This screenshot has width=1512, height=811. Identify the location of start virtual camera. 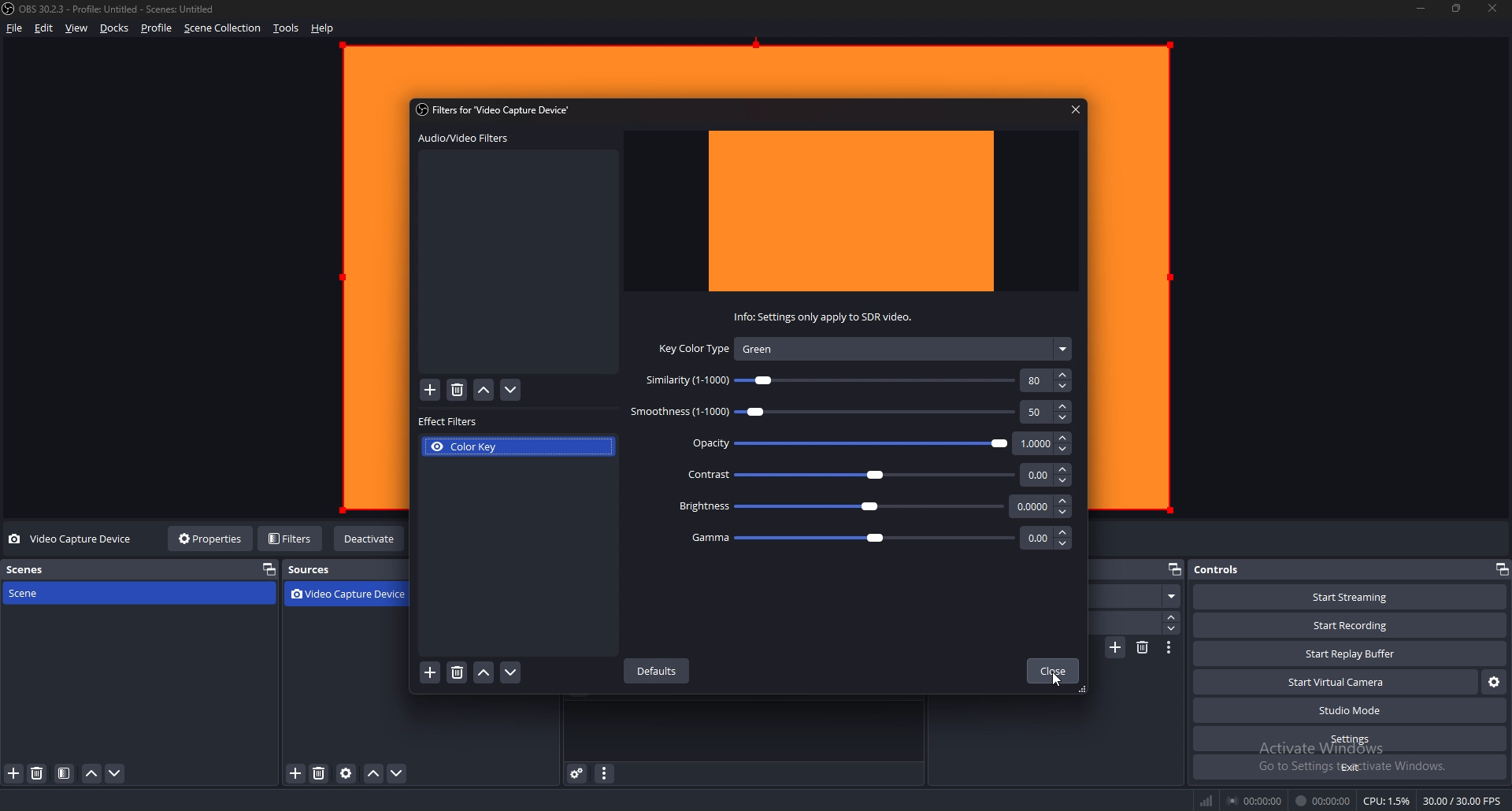
(1336, 682).